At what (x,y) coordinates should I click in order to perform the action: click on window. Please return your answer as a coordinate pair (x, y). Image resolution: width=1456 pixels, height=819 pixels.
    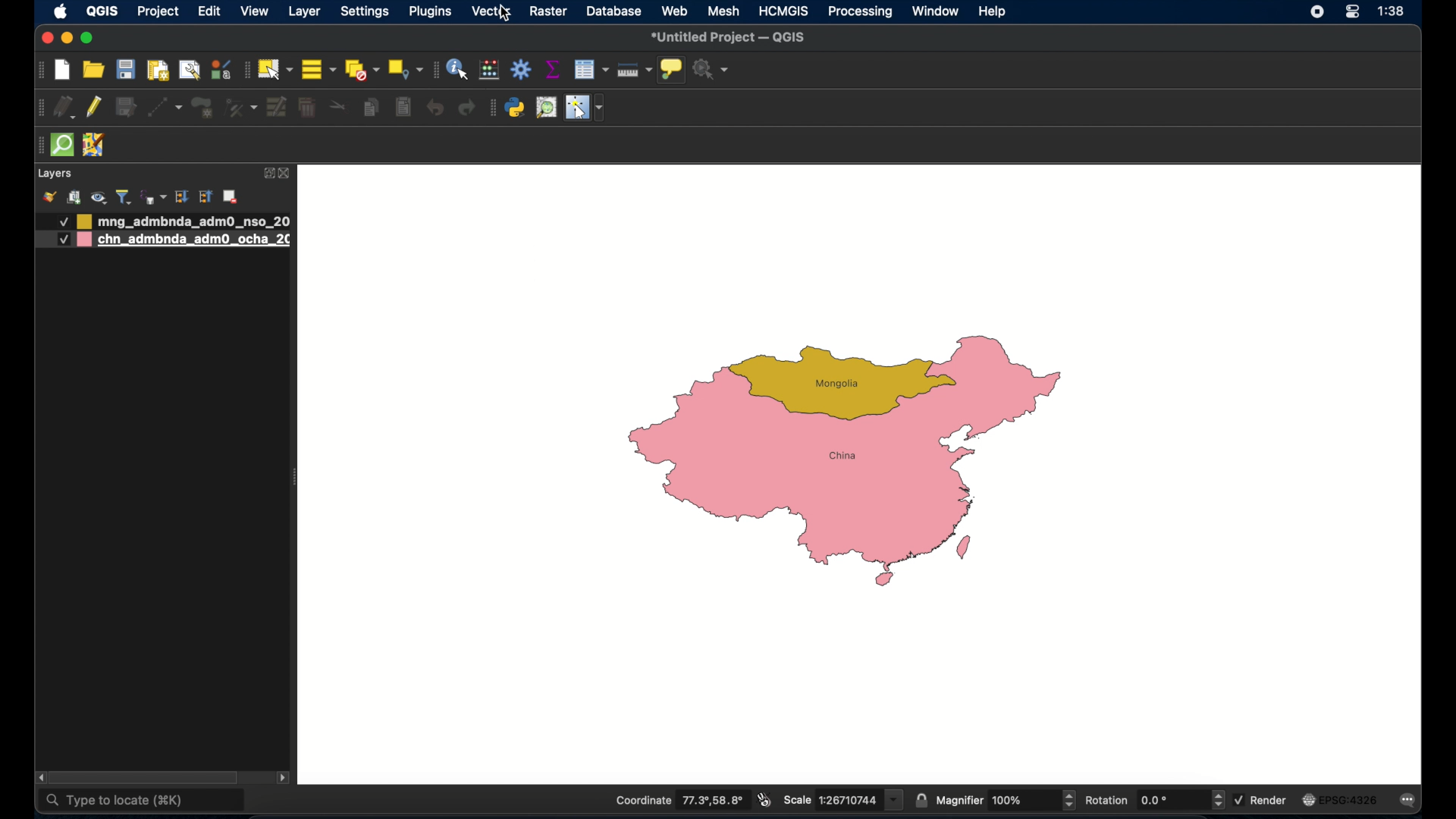
    Looking at the image, I should click on (934, 11).